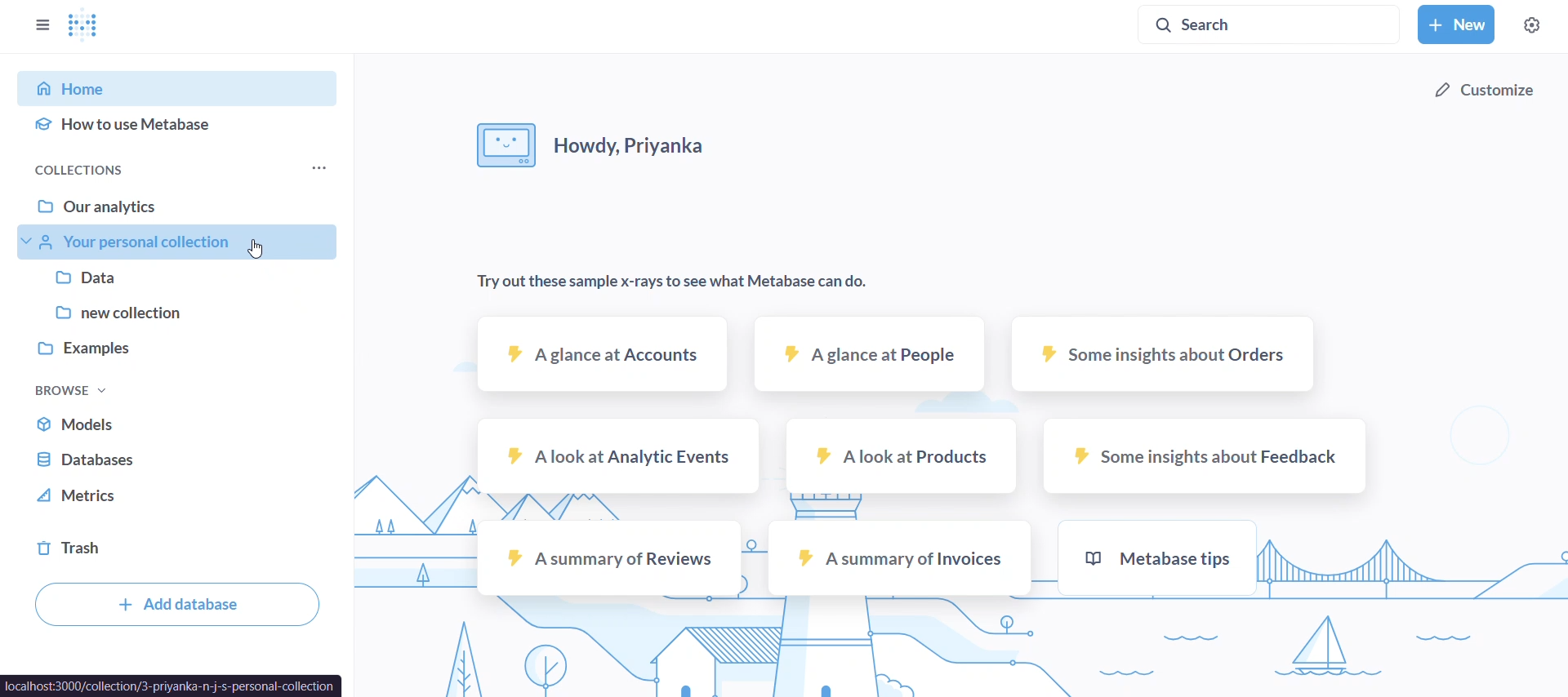 This screenshot has width=1568, height=697. Describe the element at coordinates (1483, 91) in the screenshot. I see `customize` at that location.